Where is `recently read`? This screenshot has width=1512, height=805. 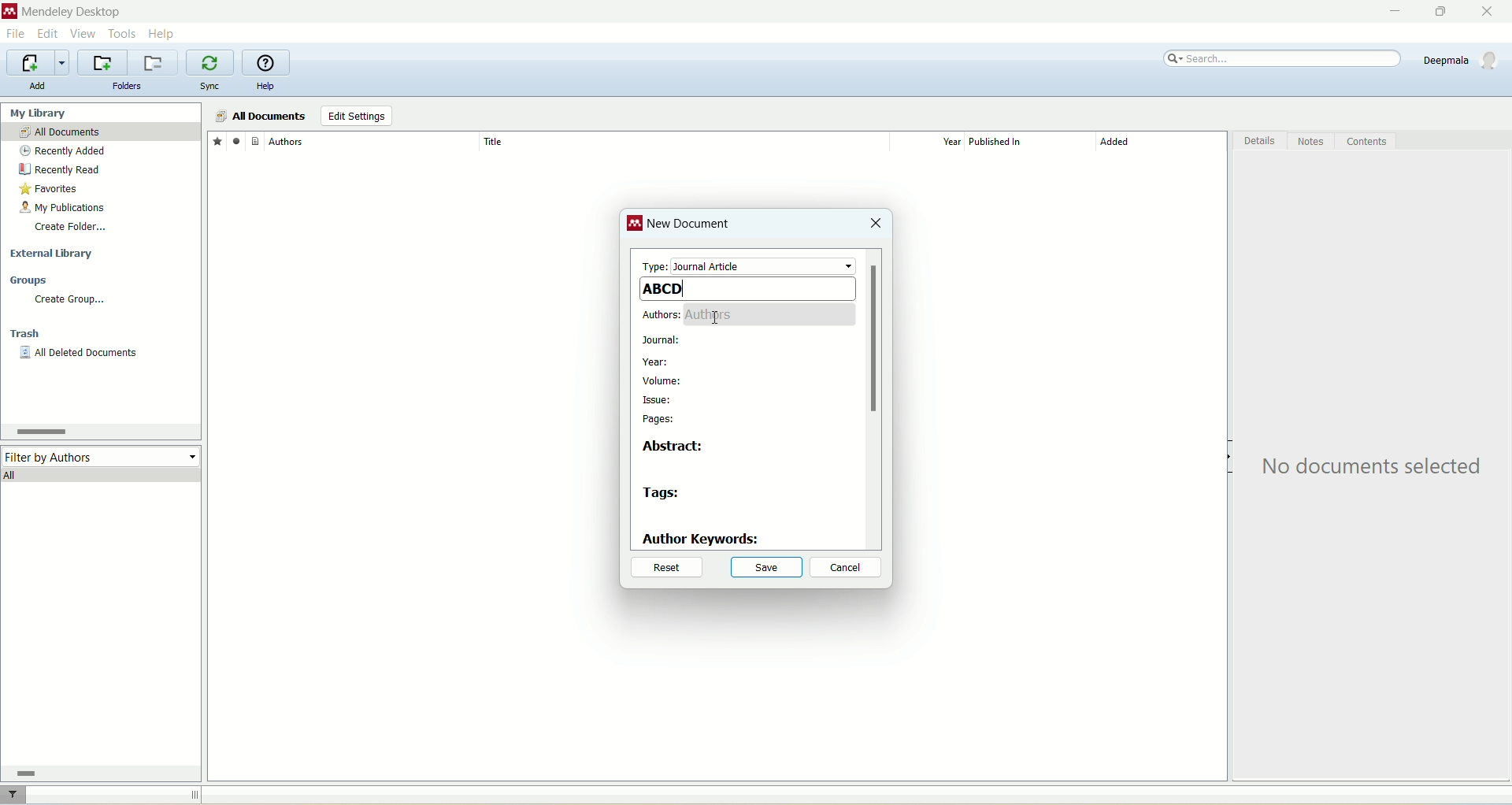
recently read is located at coordinates (59, 169).